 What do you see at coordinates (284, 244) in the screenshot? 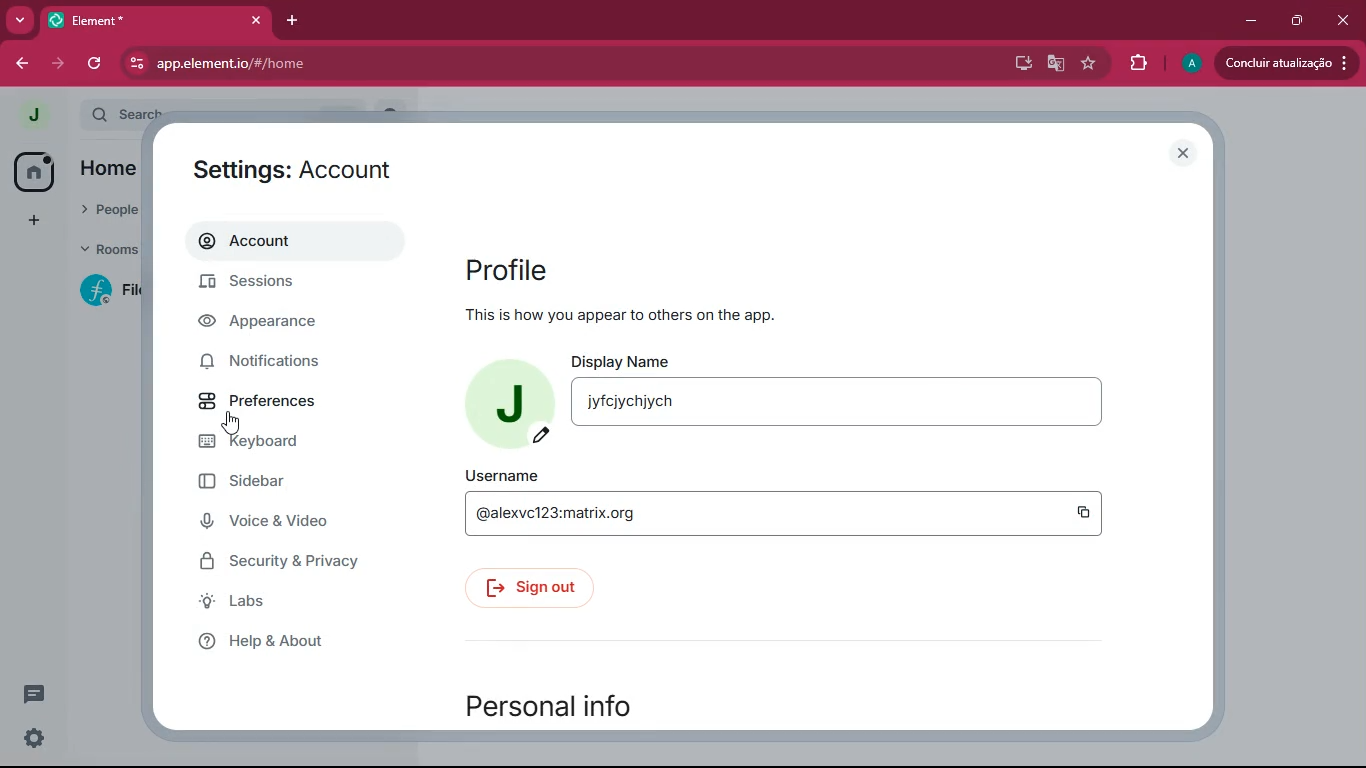
I see `account` at bounding box center [284, 244].